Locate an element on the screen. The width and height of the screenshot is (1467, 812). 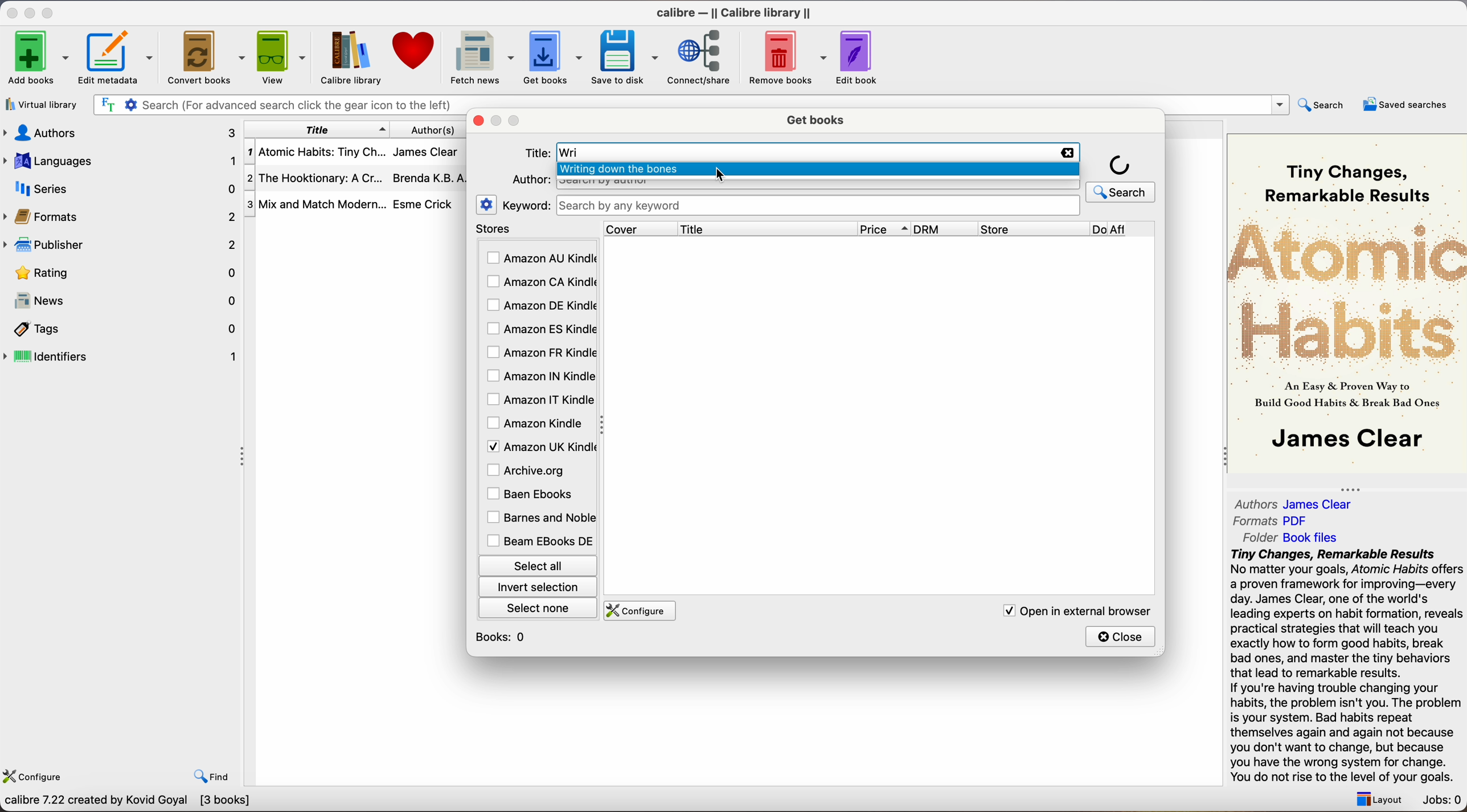
beam ebooks DE is located at coordinates (539, 541).